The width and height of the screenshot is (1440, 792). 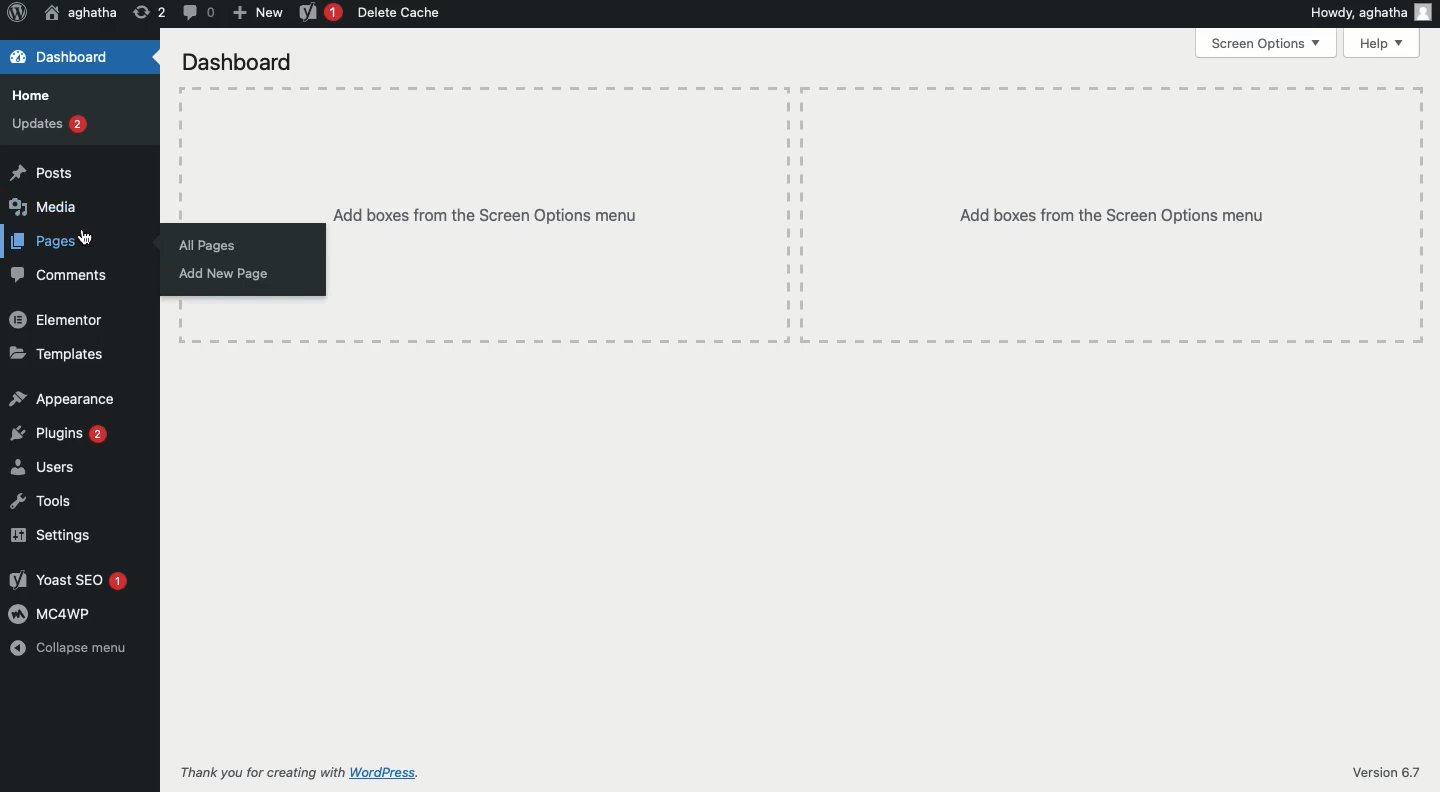 What do you see at coordinates (58, 321) in the screenshot?
I see `Elementor` at bounding box center [58, 321].